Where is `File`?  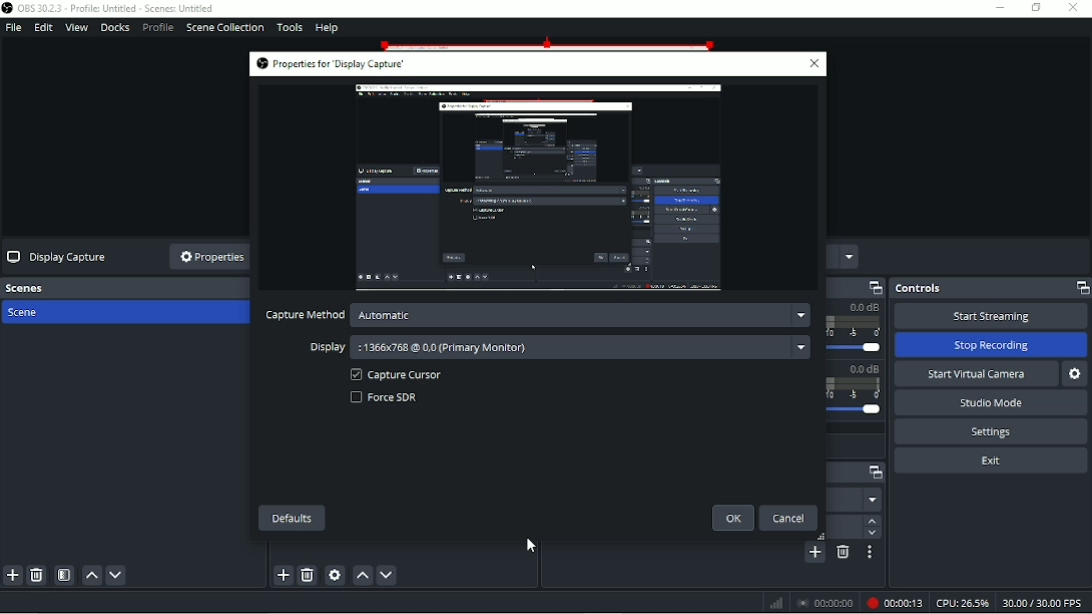 File is located at coordinates (15, 27).